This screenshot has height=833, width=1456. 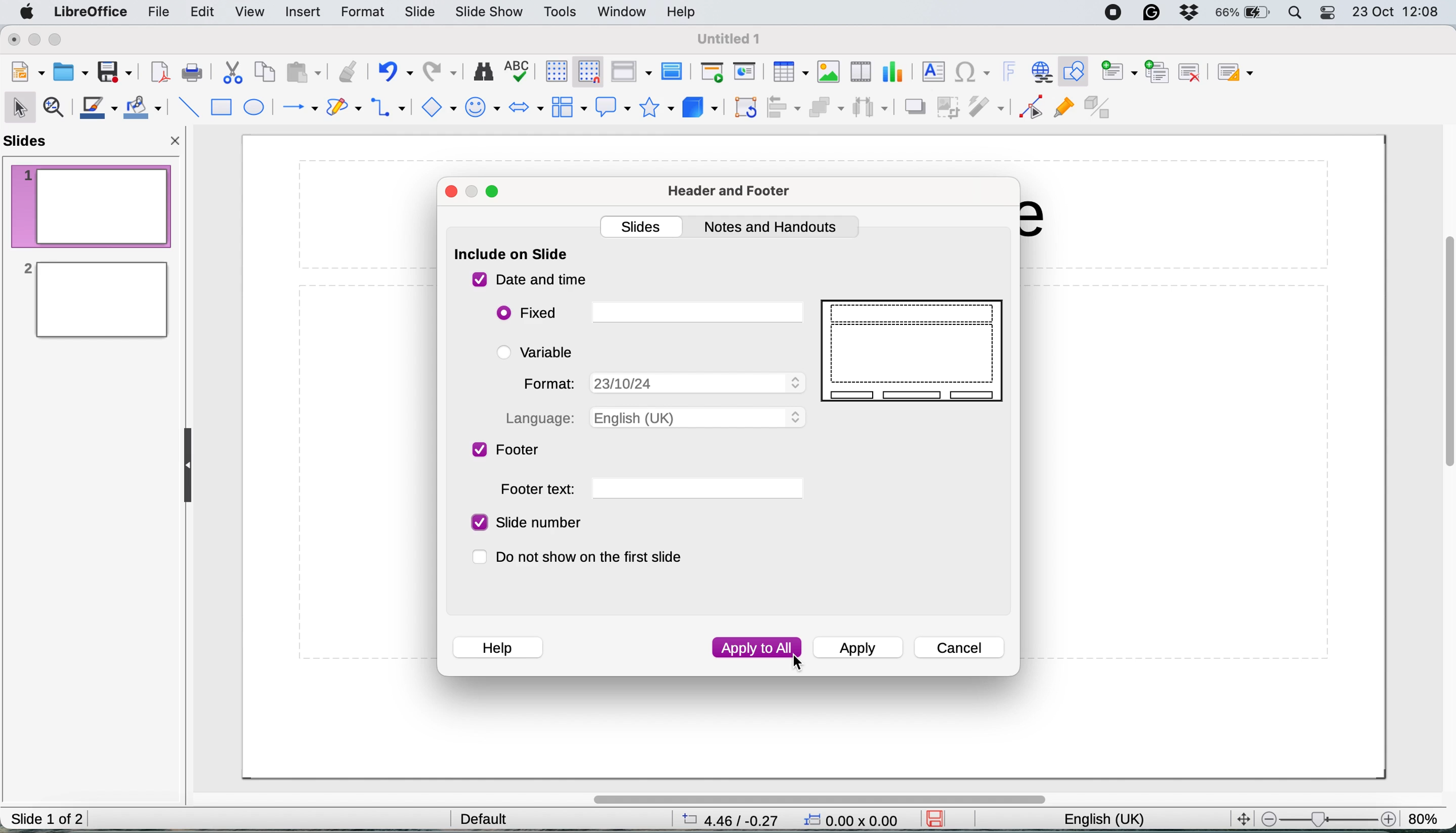 What do you see at coordinates (552, 70) in the screenshot?
I see `display grid` at bounding box center [552, 70].